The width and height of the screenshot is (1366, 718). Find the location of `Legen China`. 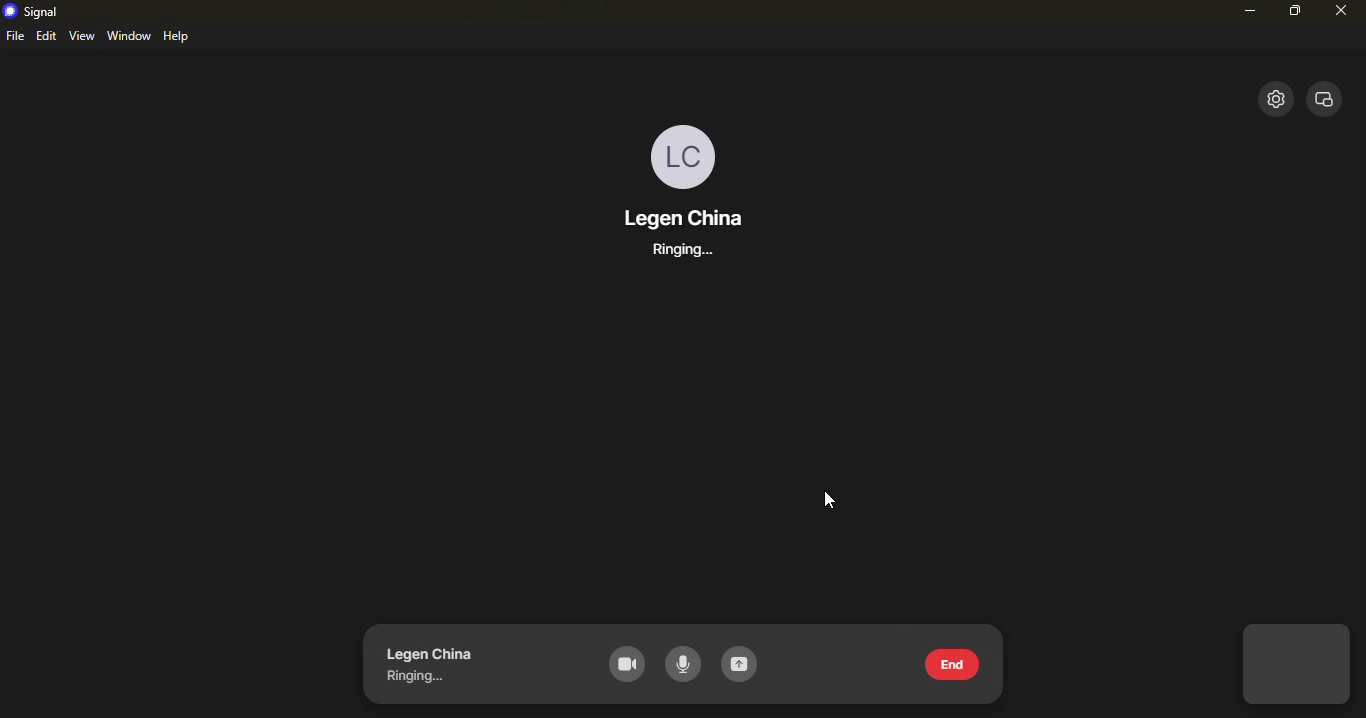

Legen China is located at coordinates (692, 216).